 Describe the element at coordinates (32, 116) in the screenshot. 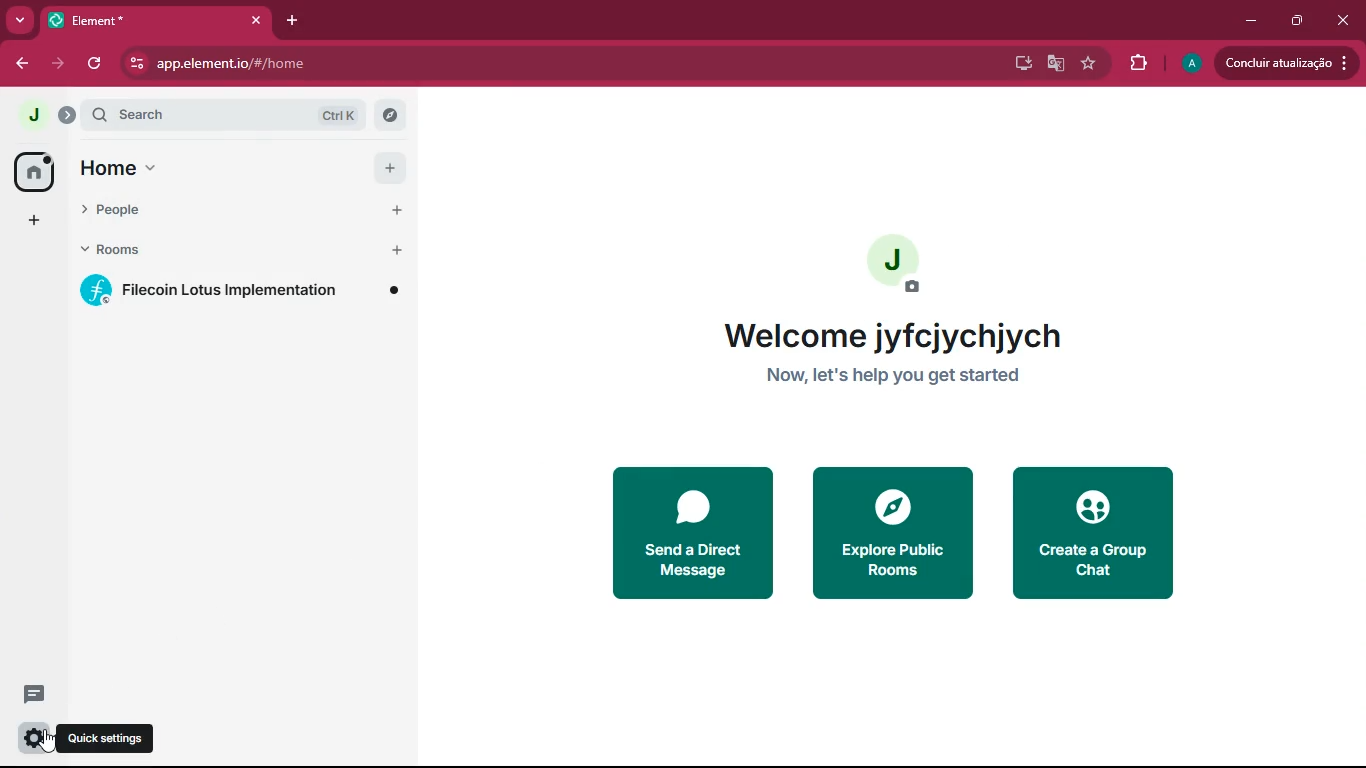

I see `profile picture` at that location.